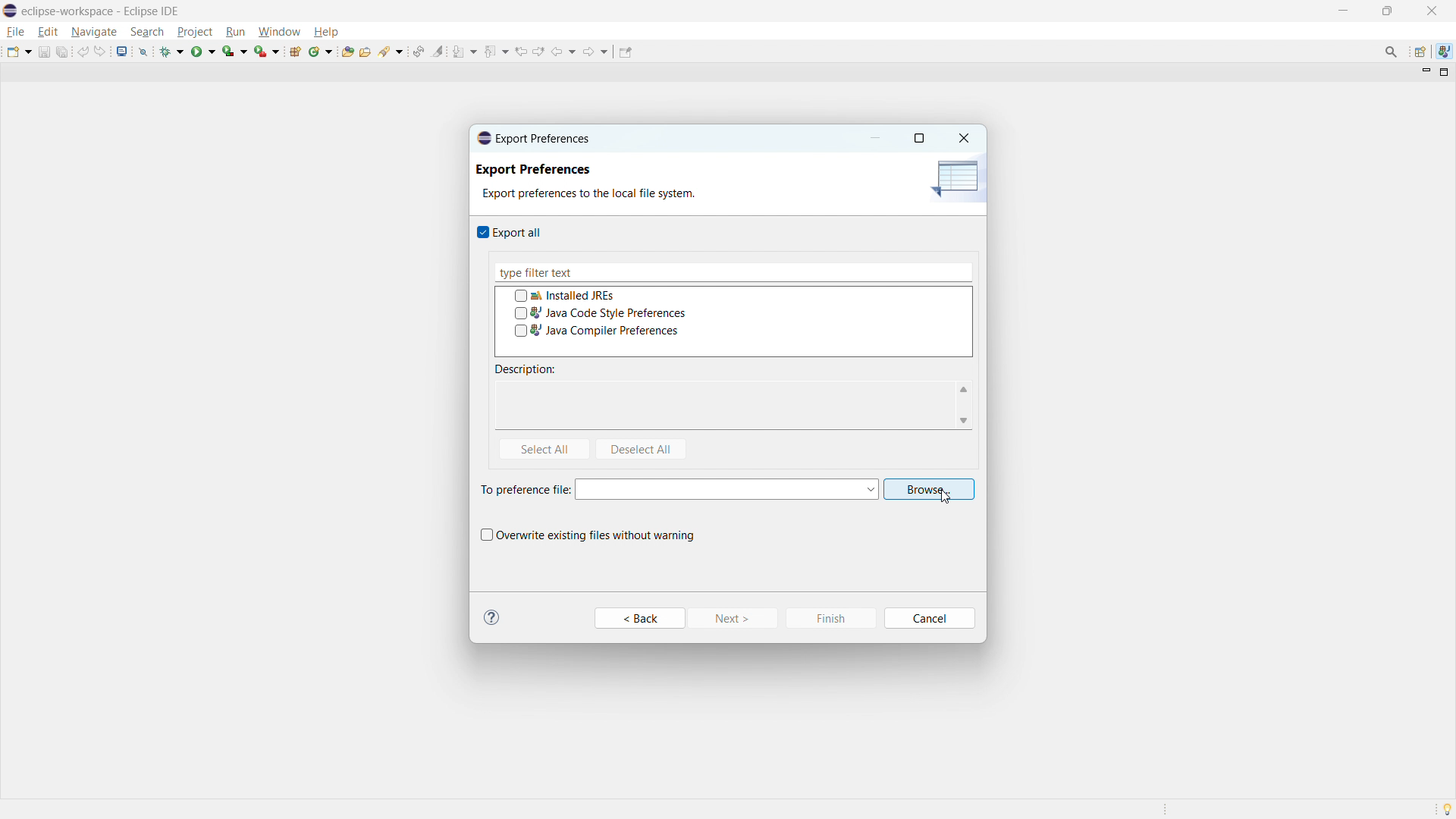 The width and height of the screenshot is (1456, 819). I want to click on navigate, so click(93, 33).